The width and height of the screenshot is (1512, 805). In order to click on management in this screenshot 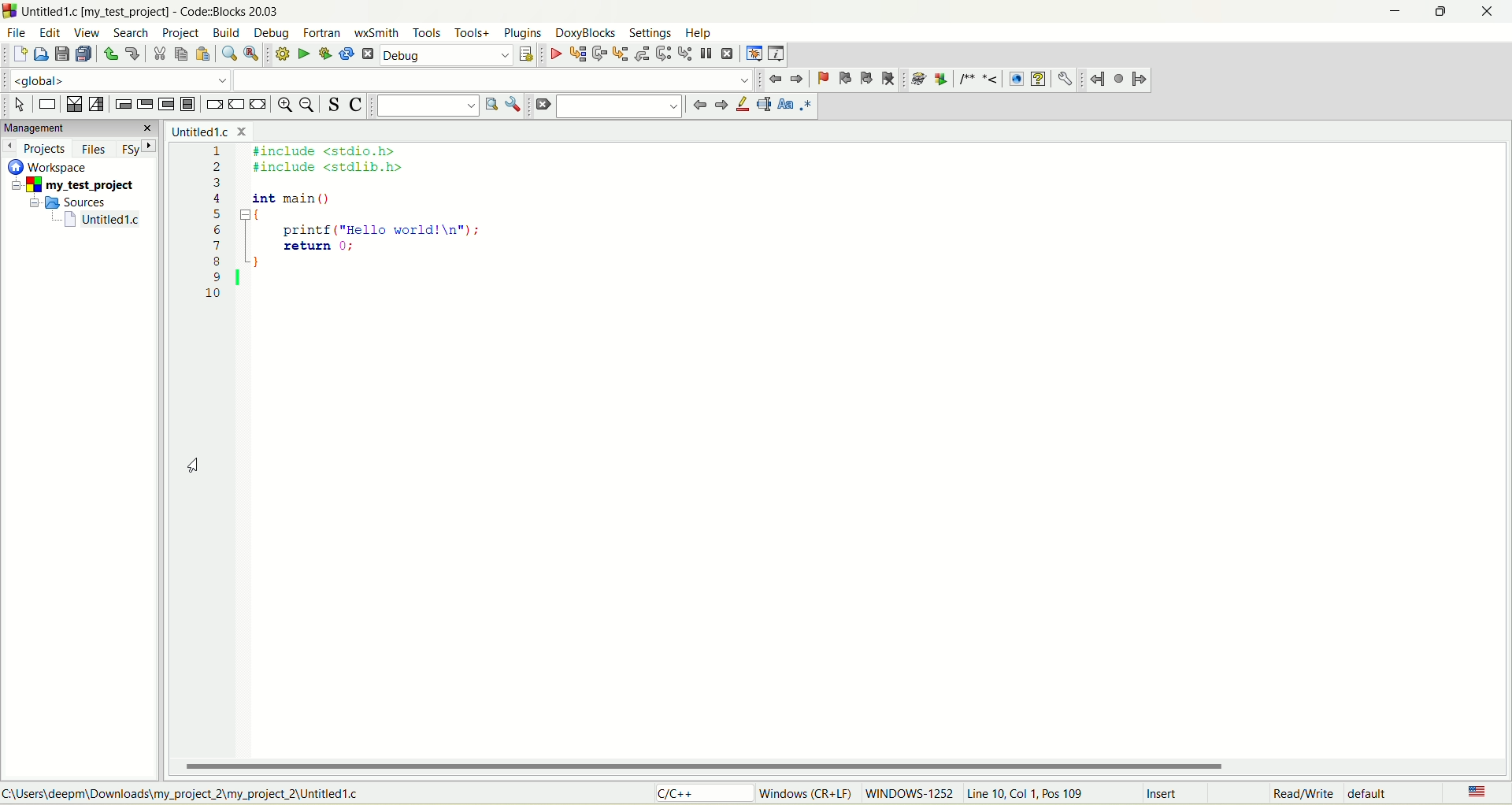, I will do `click(80, 128)`.